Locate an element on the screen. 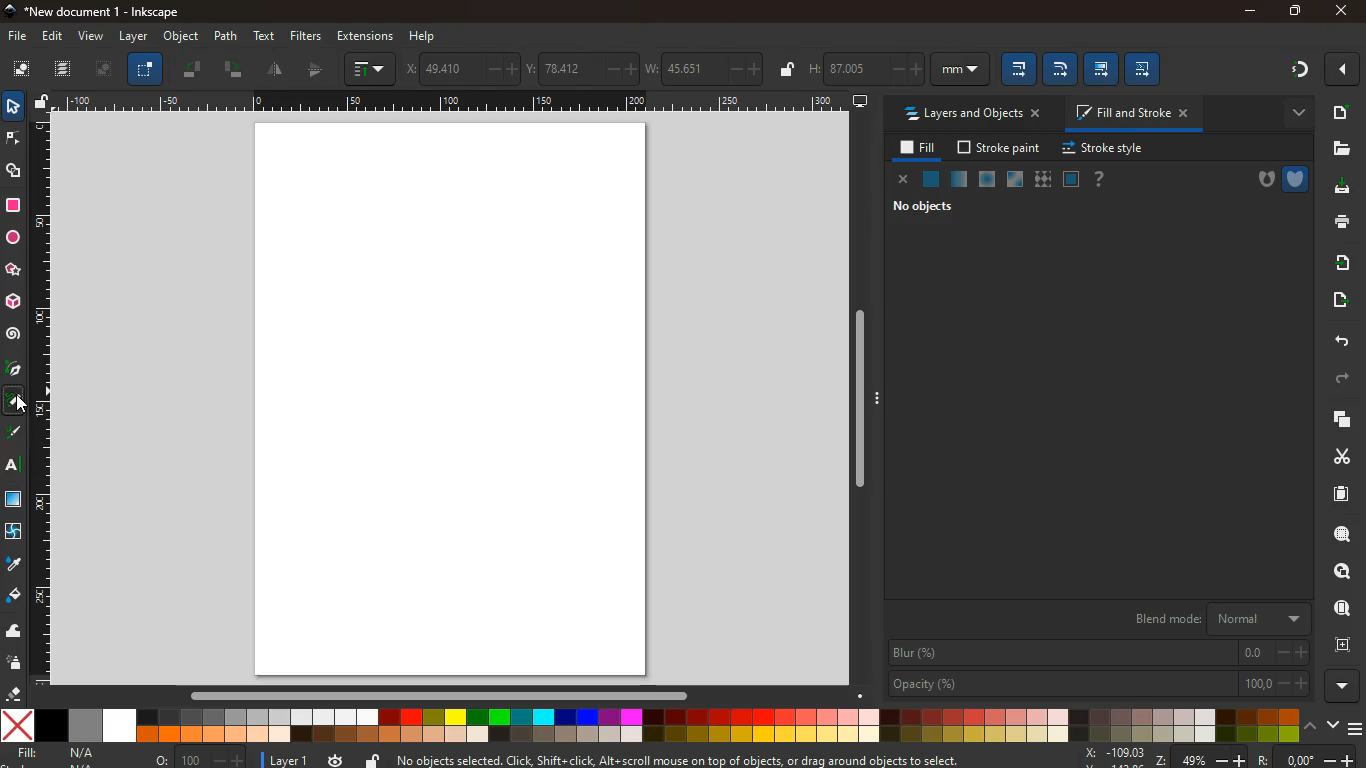  fill: N/A is located at coordinates (57, 753).